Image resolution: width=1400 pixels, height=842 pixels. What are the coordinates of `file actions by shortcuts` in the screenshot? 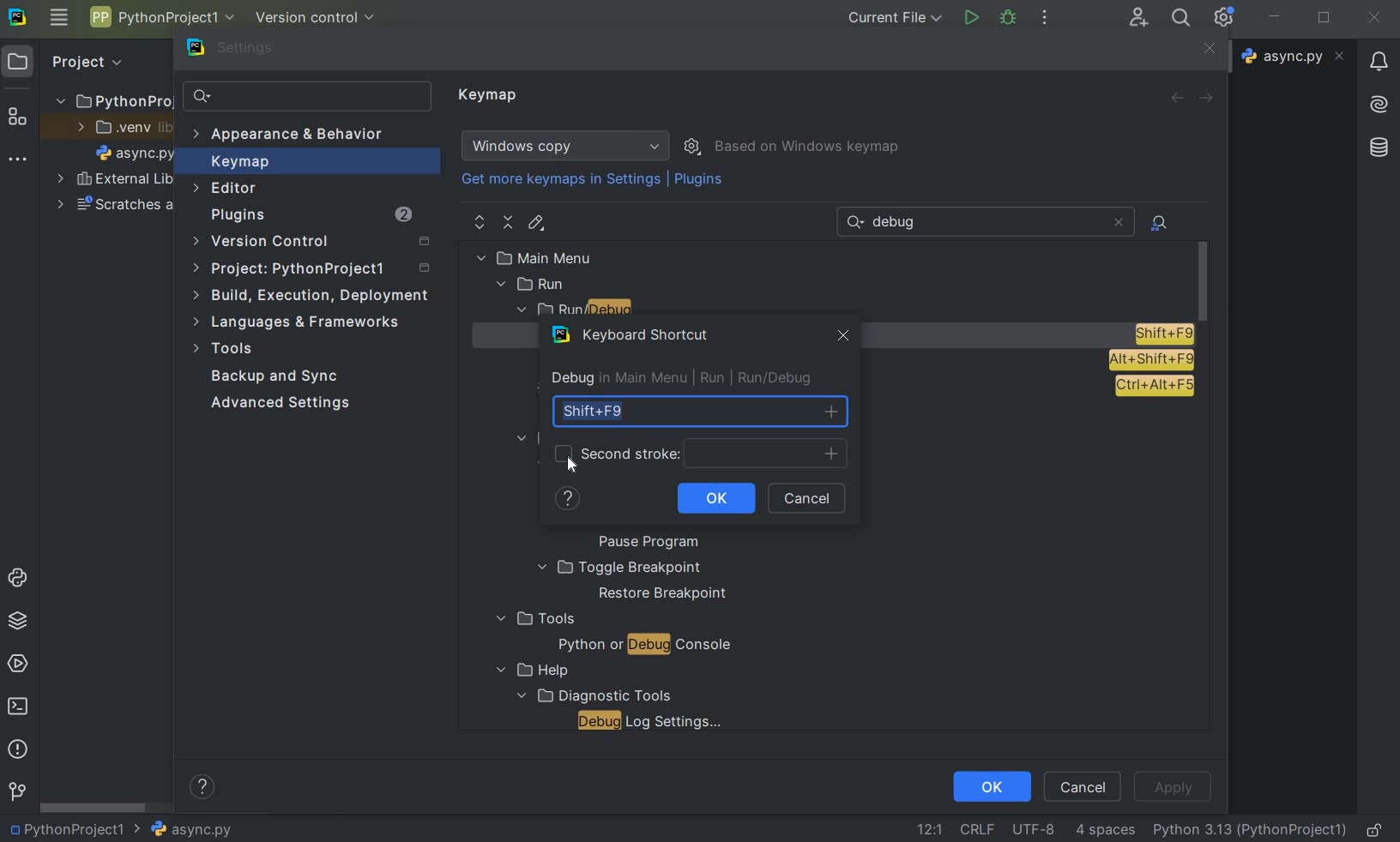 It's located at (1161, 223).